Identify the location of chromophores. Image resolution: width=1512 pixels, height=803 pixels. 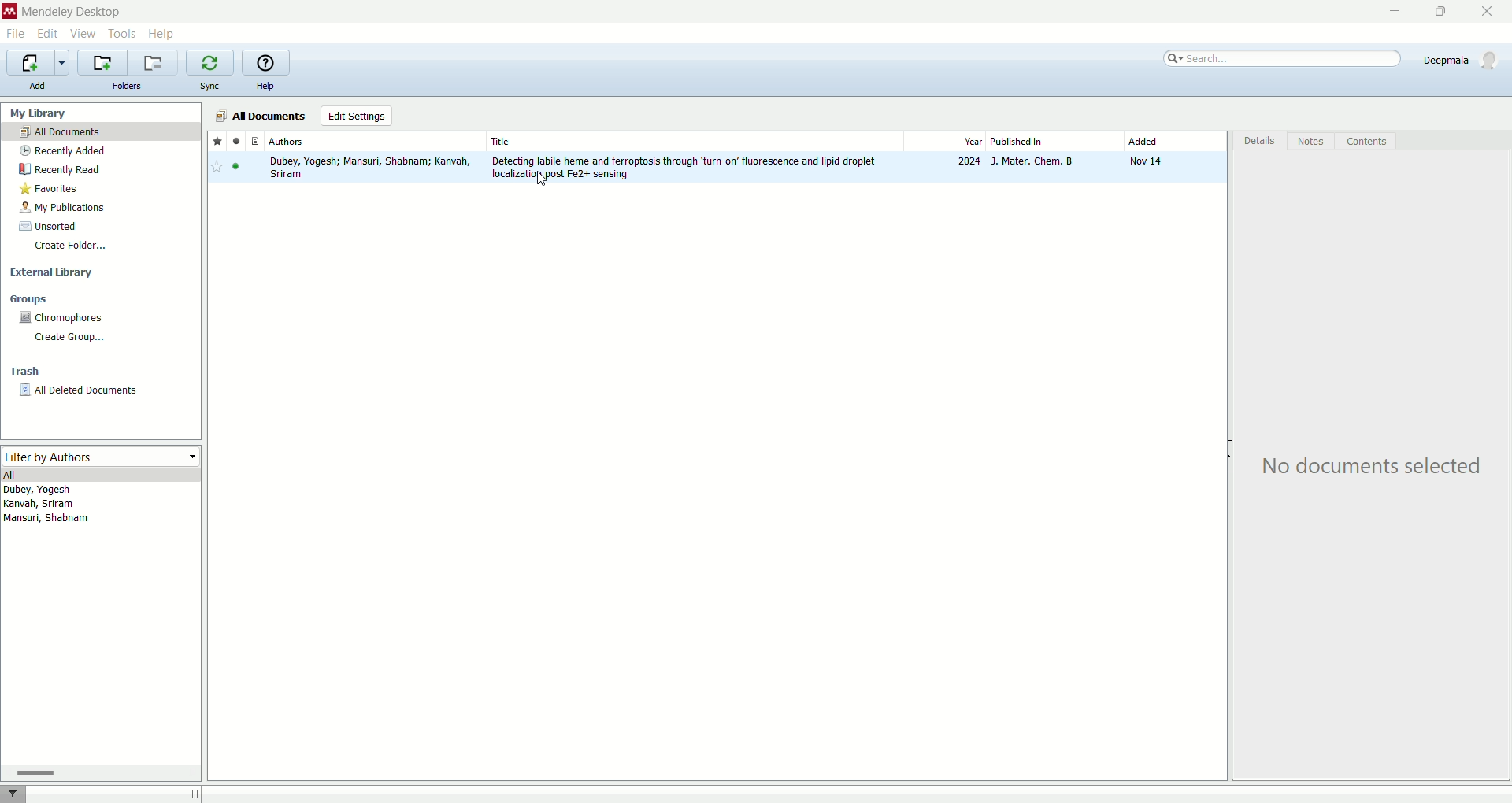
(63, 317).